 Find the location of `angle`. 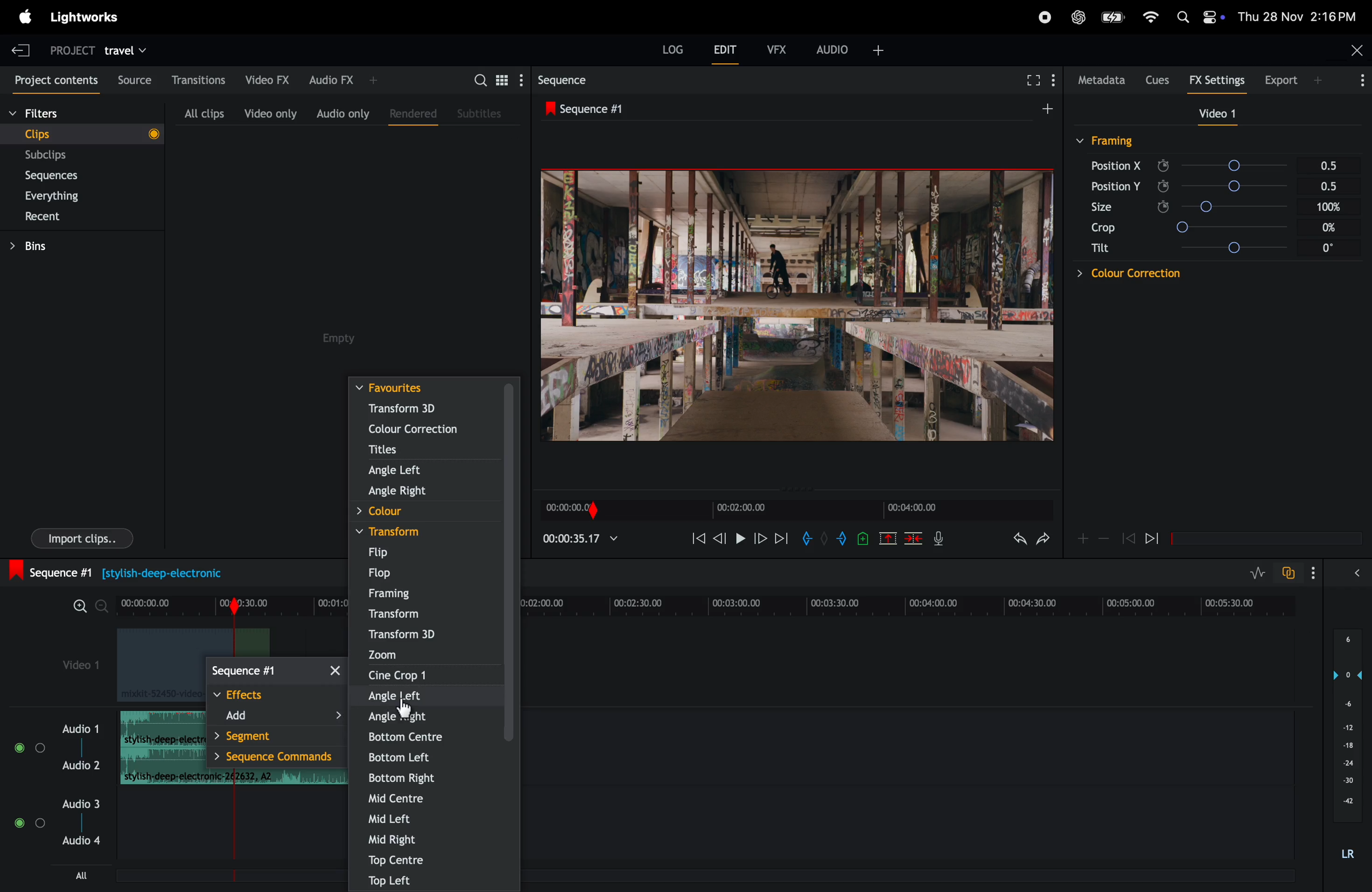

angle is located at coordinates (1247, 165).